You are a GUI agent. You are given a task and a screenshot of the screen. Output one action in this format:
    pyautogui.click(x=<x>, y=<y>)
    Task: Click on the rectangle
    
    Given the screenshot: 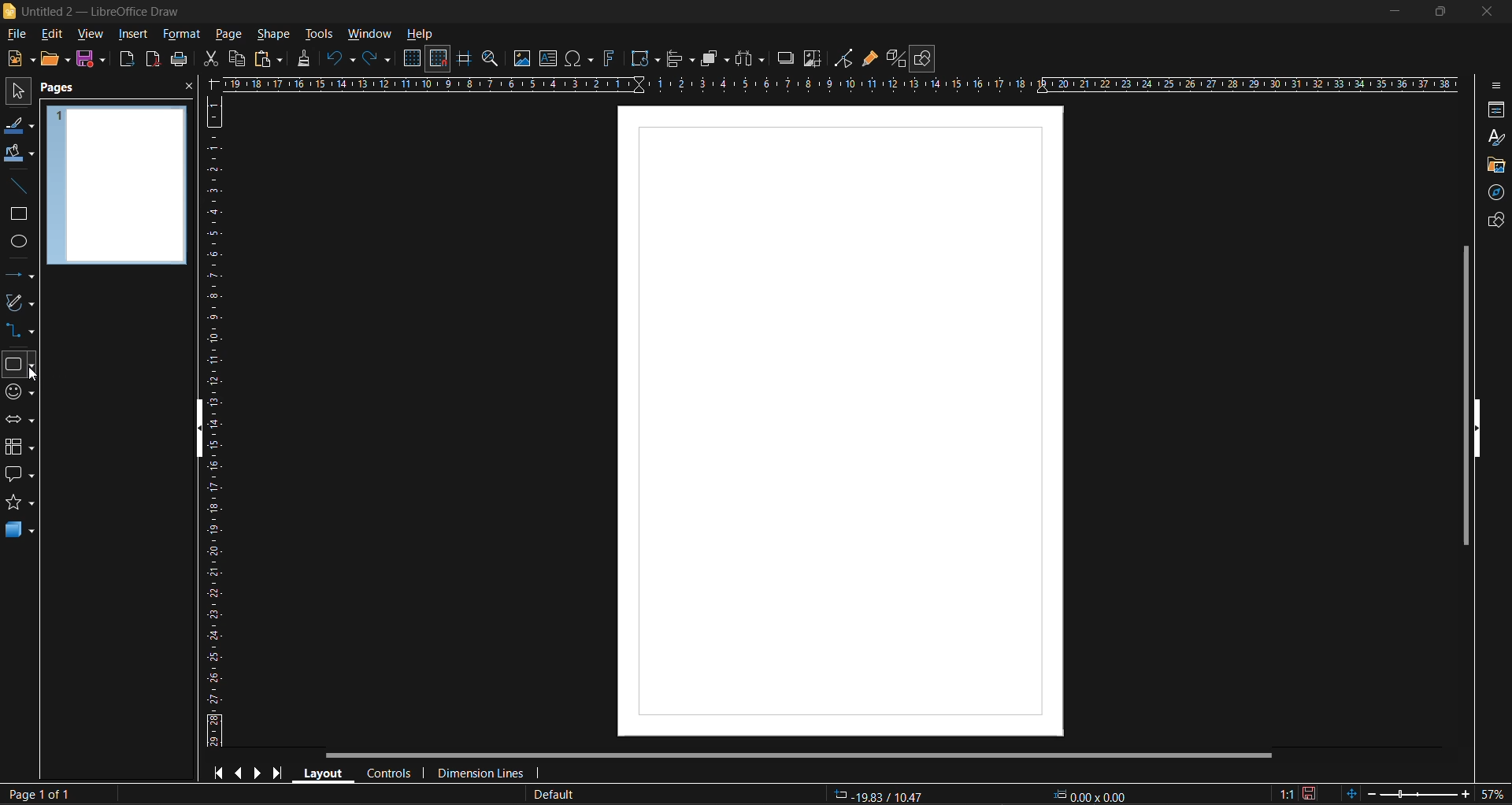 What is the action you would take?
    pyautogui.click(x=16, y=215)
    